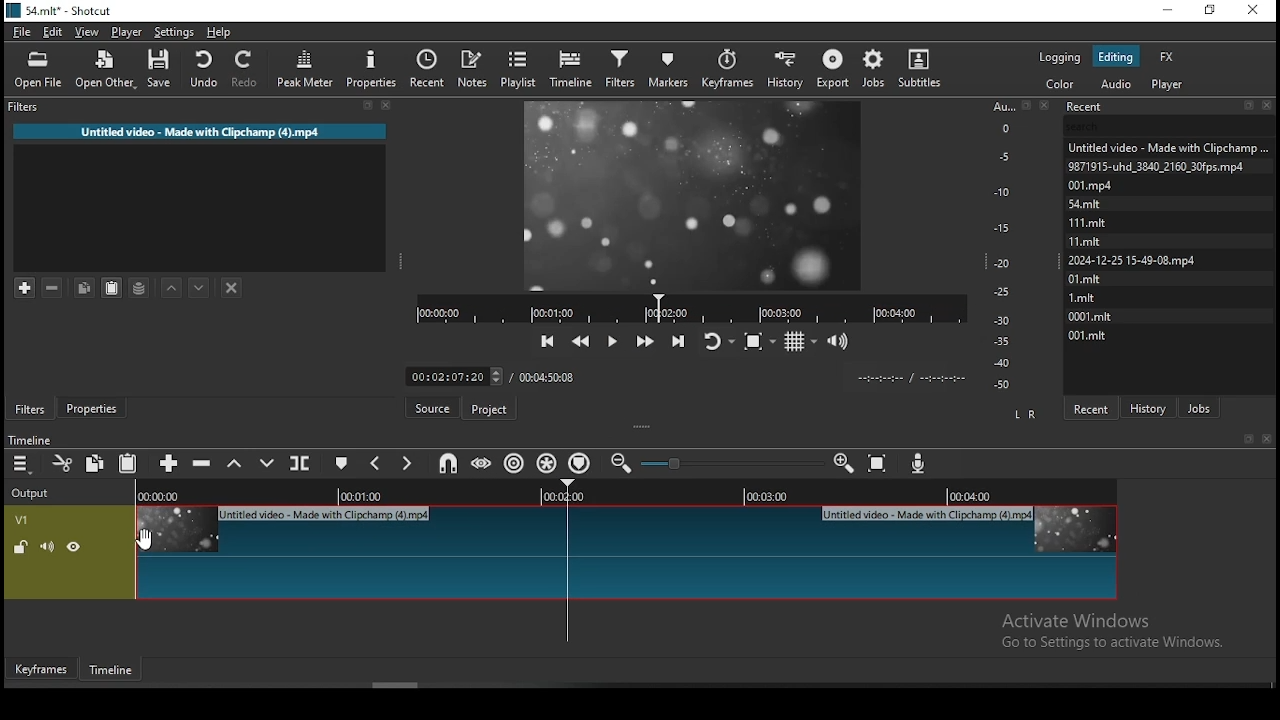  I want to click on player, so click(1167, 84).